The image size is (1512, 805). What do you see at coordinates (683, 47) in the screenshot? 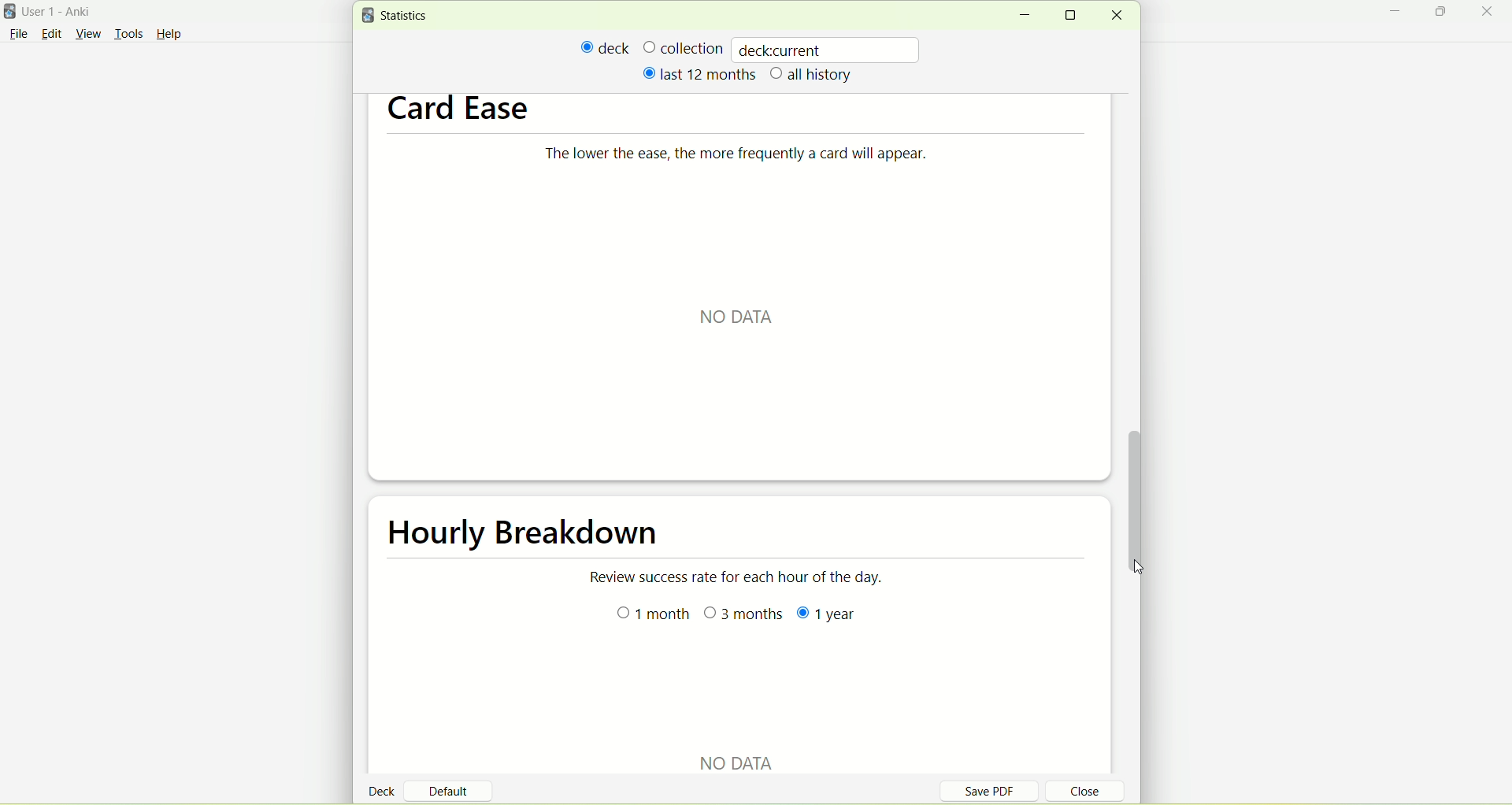
I see `collection` at bounding box center [683, 47].